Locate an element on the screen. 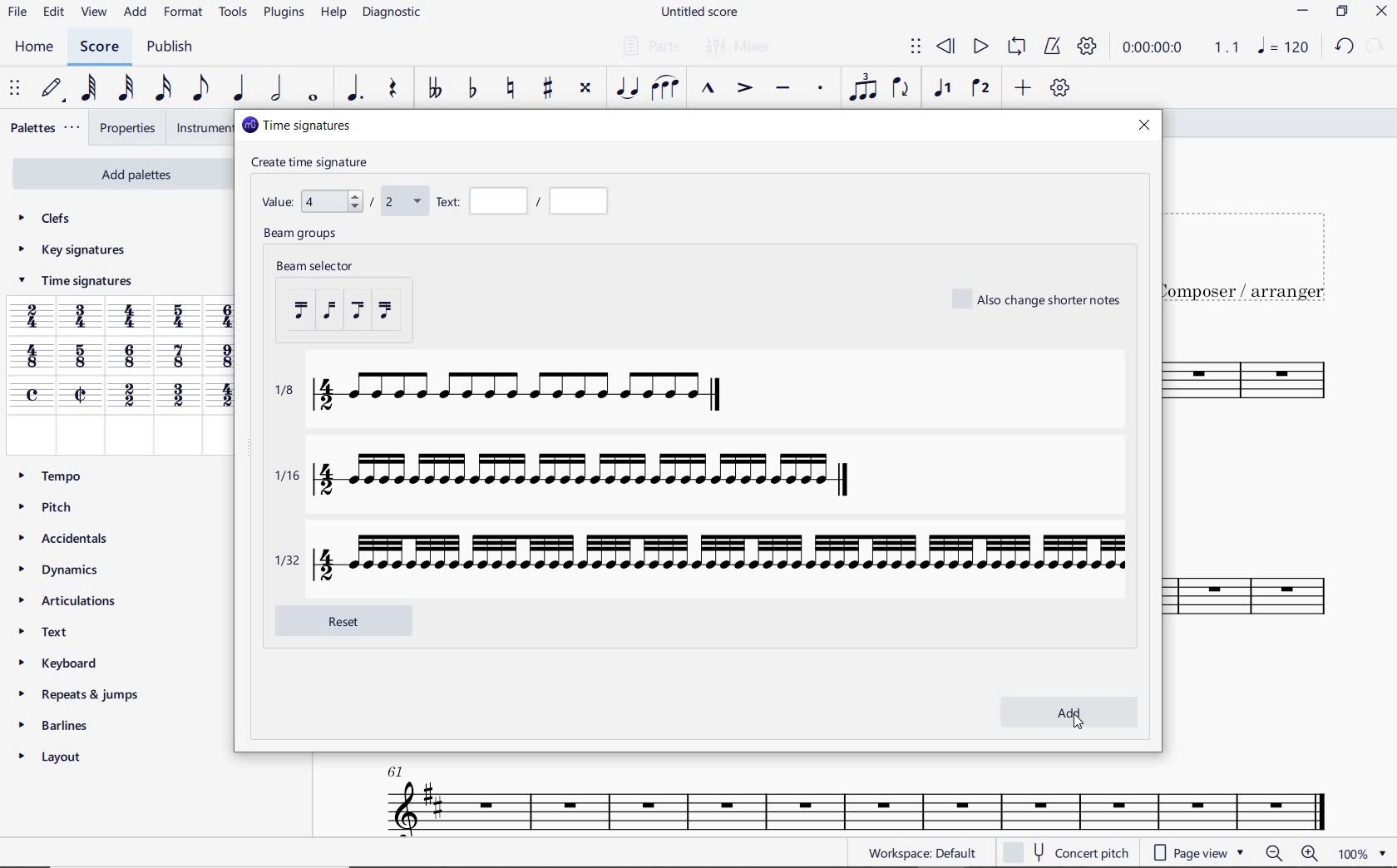 The width and height of the screenshot is (1397, 868). value 4 / 2 is located at coordinates (340, 199).